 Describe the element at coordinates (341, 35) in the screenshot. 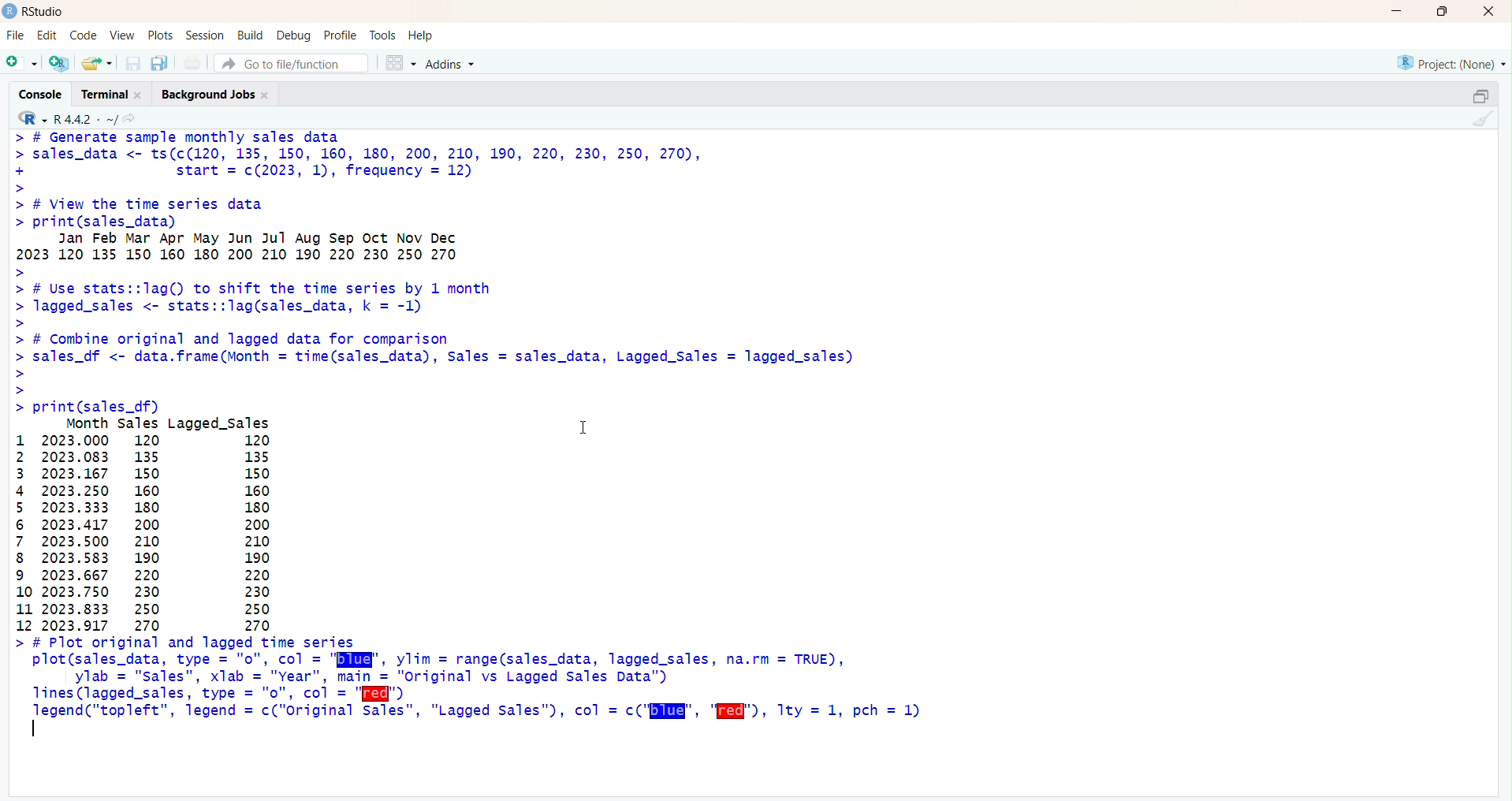

I see `profile` at that location.